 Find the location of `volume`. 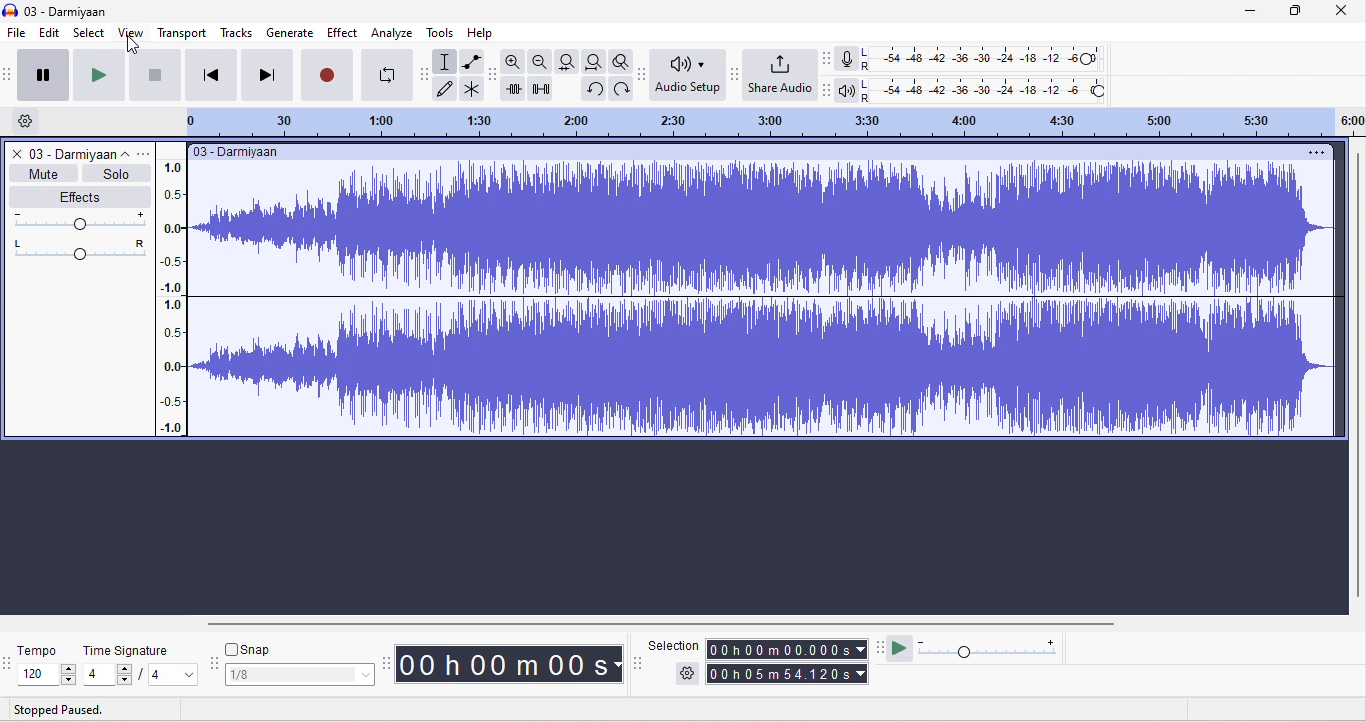

volume is located at coordinates (81, 219).